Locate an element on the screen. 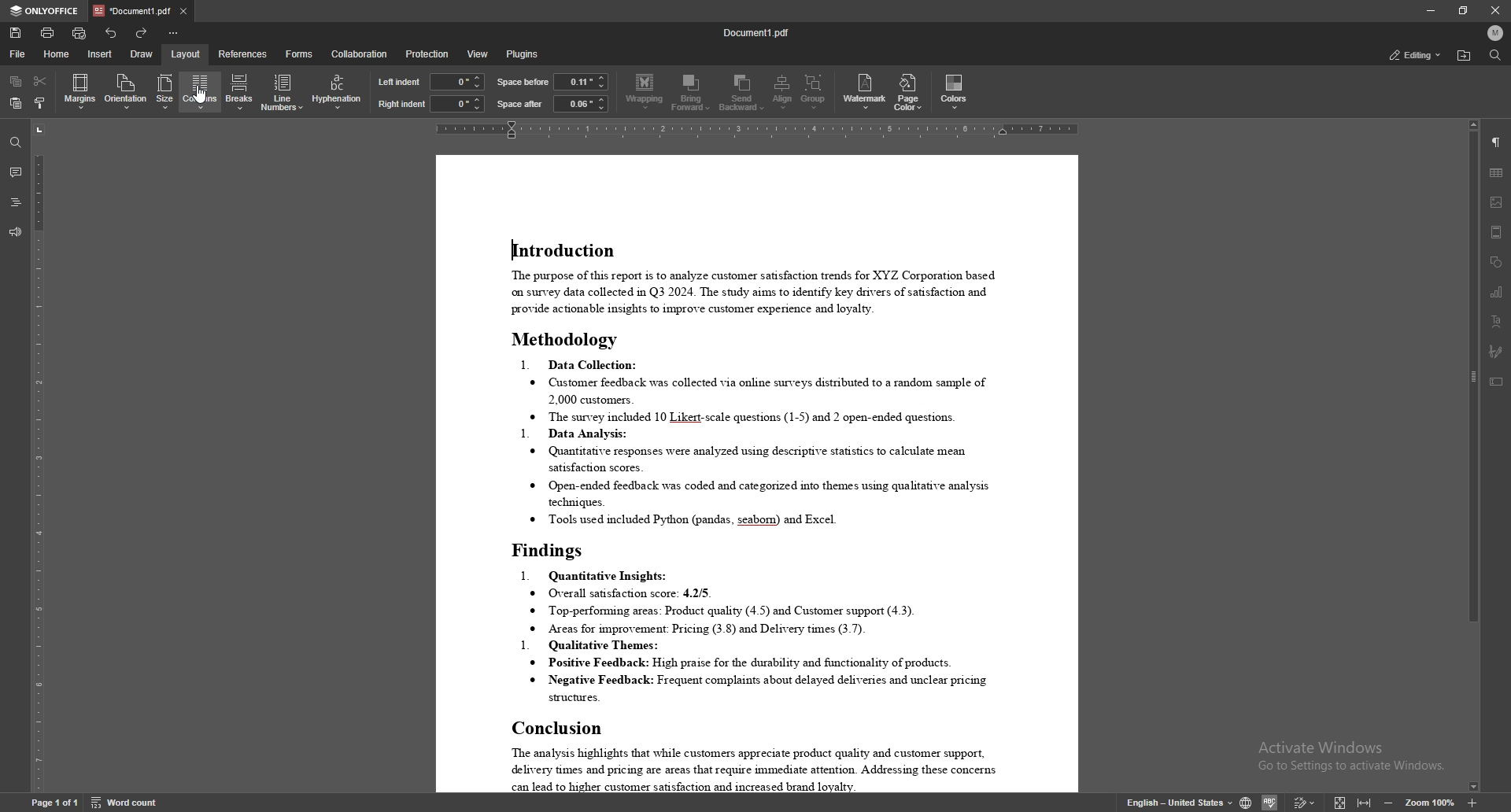  align is located at coordinates (782, 92).